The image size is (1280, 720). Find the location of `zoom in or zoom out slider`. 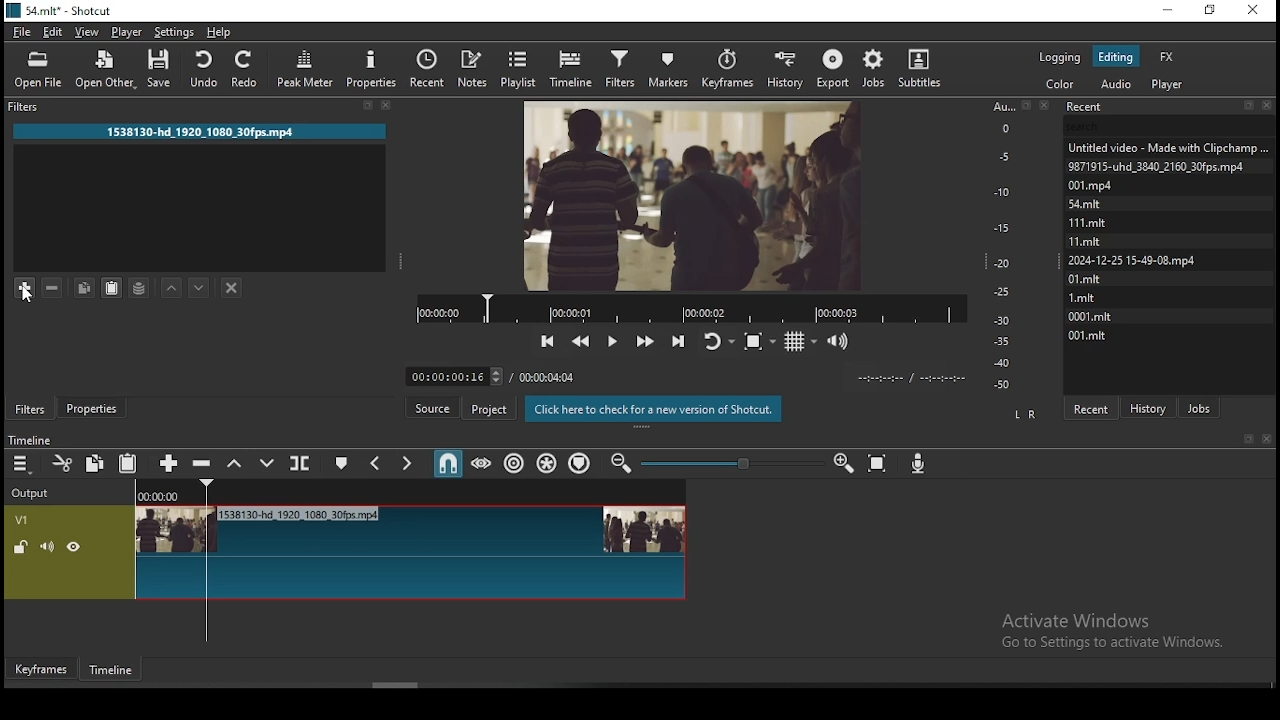

zoom in or zoom out slider is located at coordinates (732, 463).